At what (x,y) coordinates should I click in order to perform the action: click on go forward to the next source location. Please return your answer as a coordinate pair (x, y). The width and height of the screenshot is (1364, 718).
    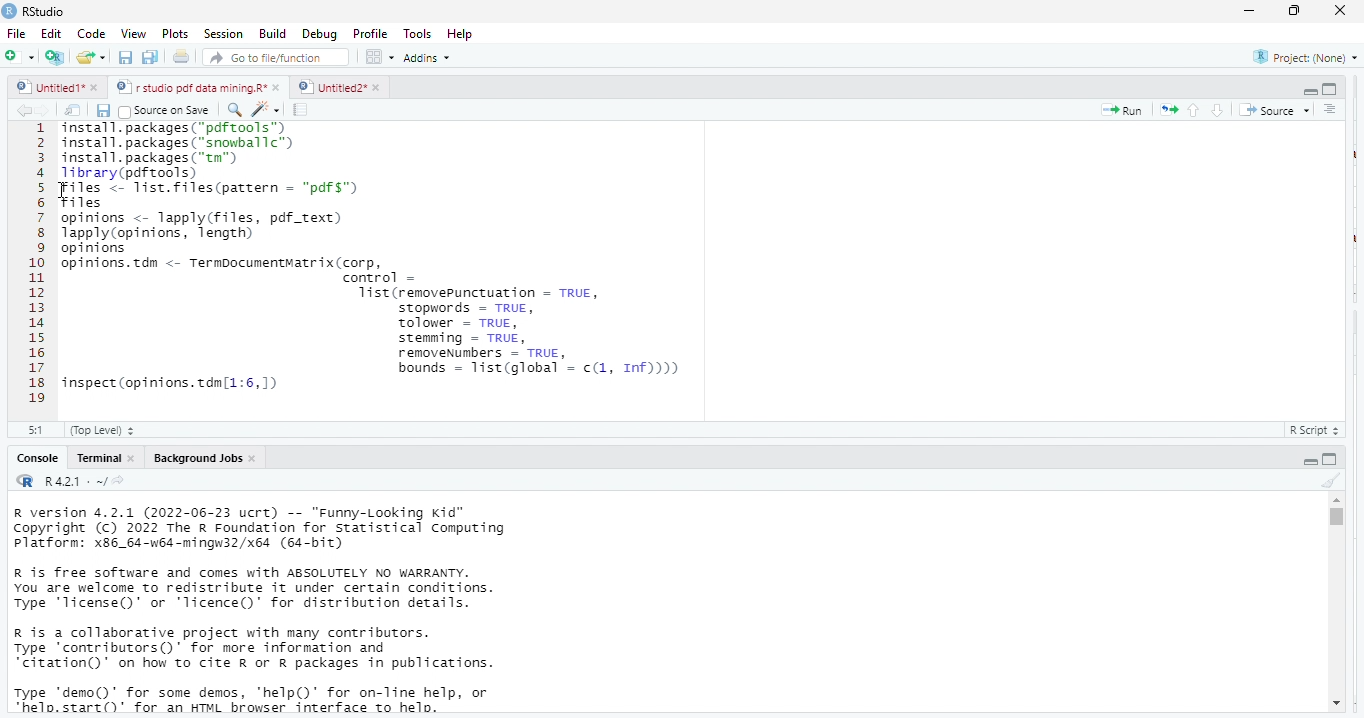
    Looking at the image, I should click on (47, 110).